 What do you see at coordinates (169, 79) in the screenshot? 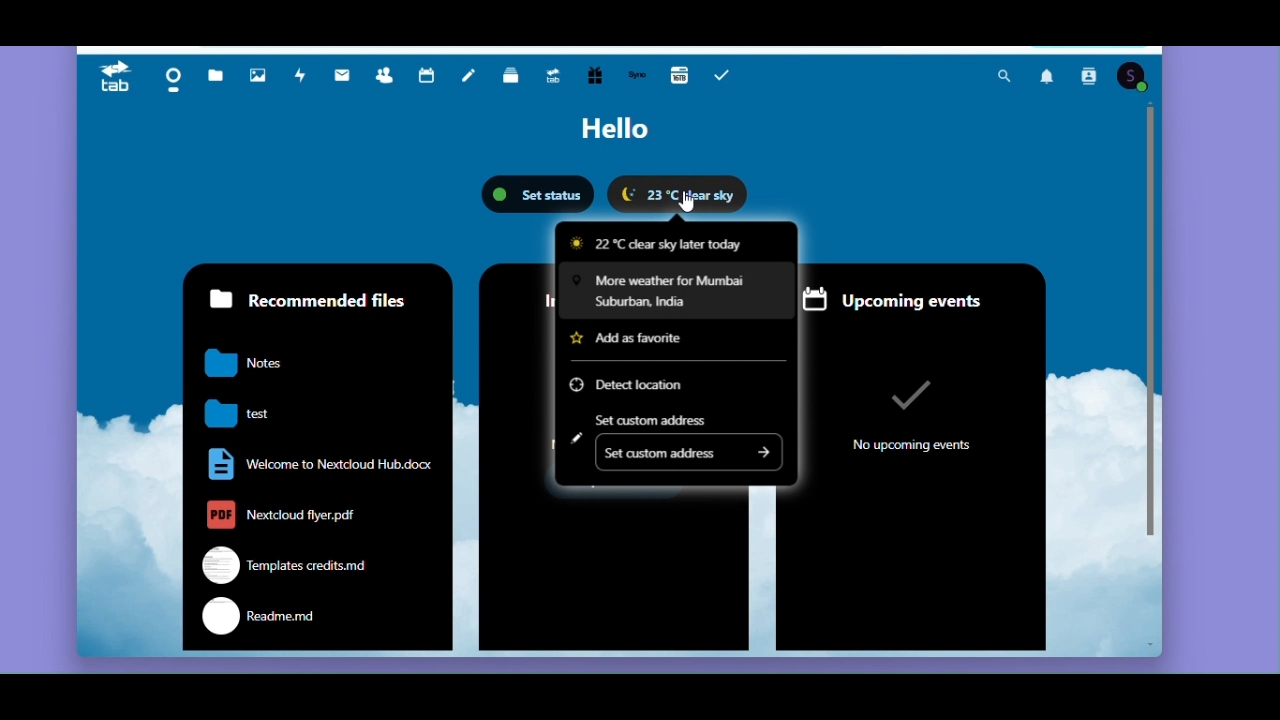
I see `Dashboard` at bounding box center [169, 79].